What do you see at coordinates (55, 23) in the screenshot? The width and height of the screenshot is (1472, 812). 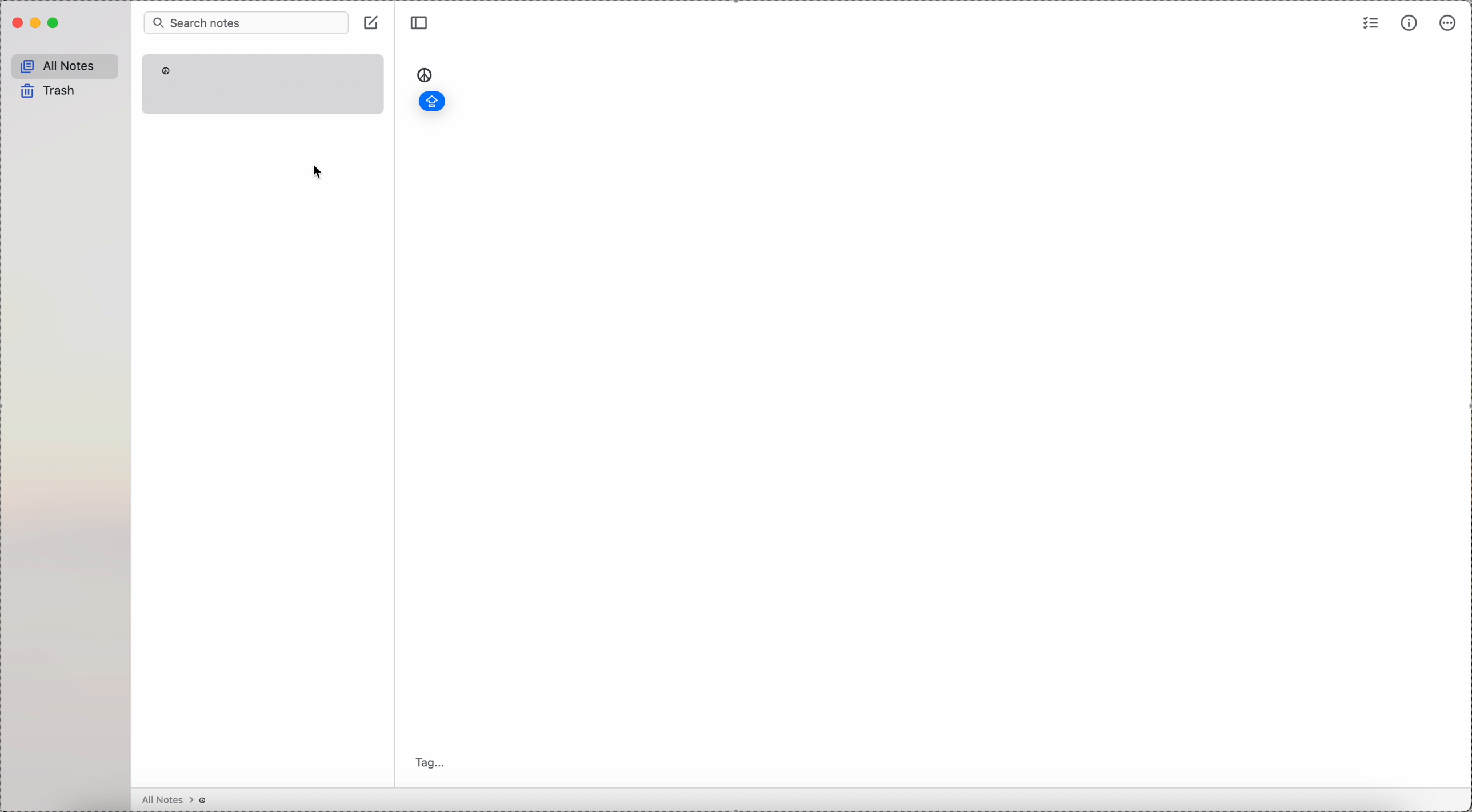 I see `maximize Simplenote` at bounding box center [55, 23].